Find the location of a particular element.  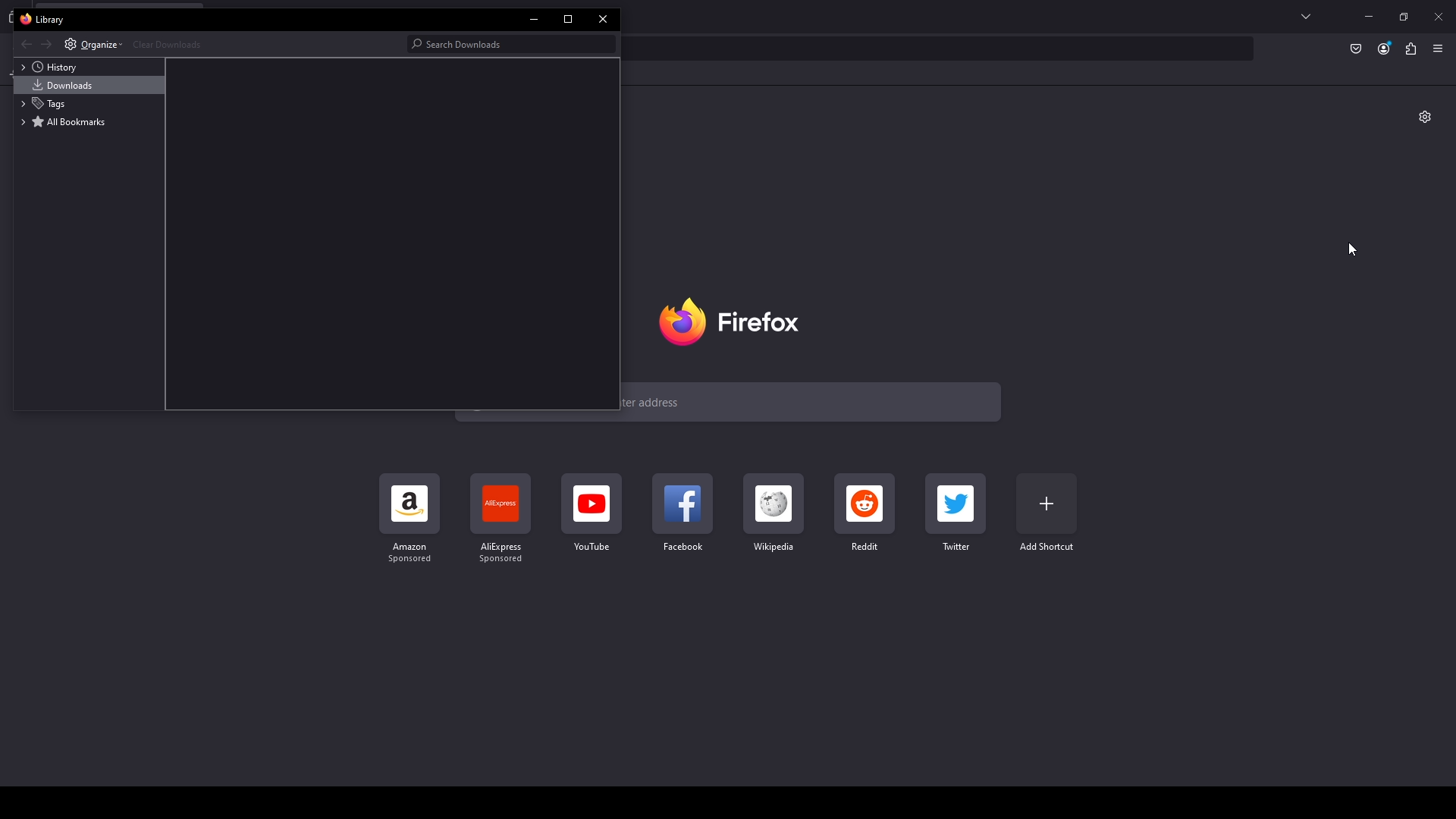

Twitter is located at coordinates (956, 513).